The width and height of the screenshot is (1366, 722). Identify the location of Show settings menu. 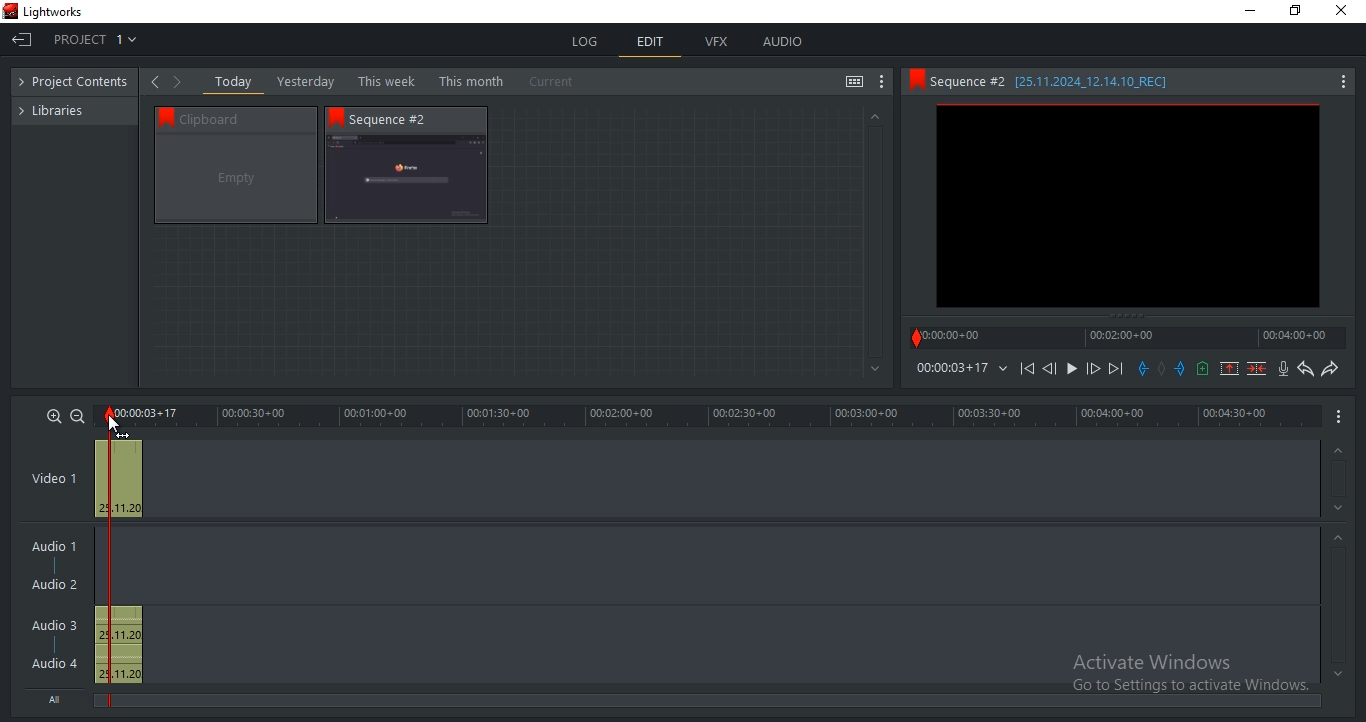
(1342, 83).